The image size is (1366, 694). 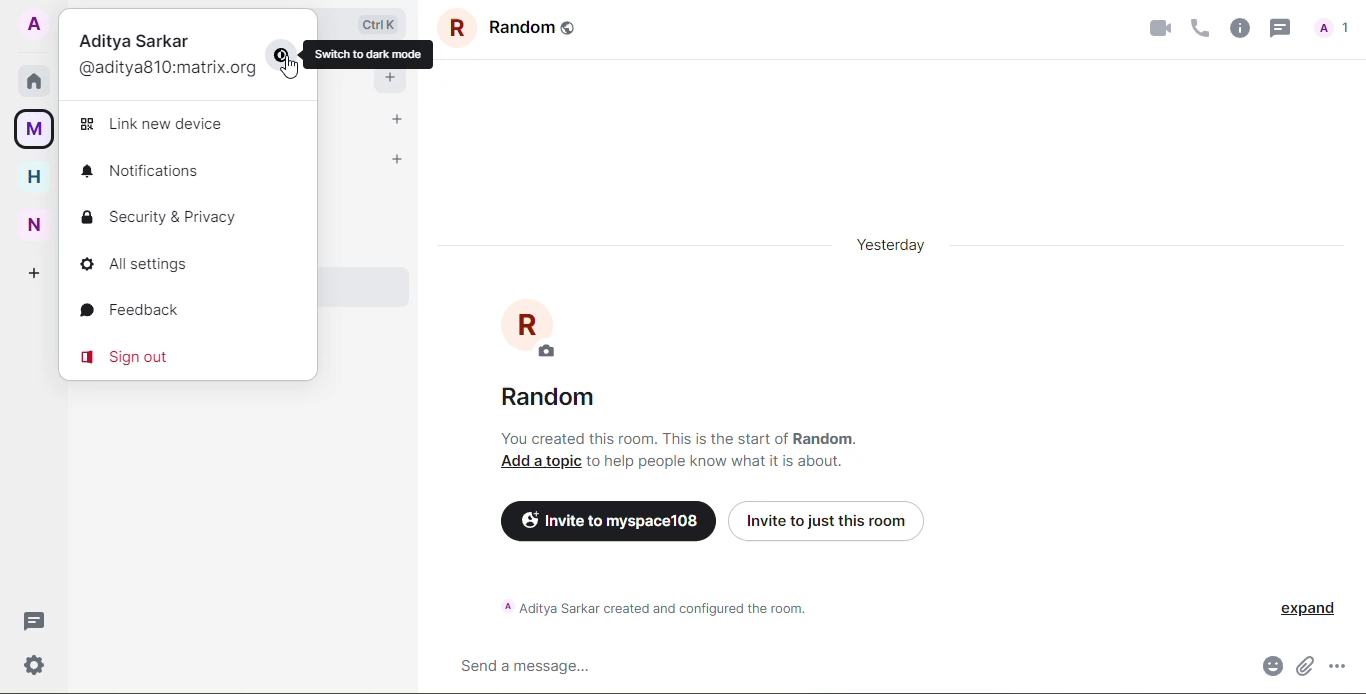 What do you see at coordinates (32, 665) in the screenshot?
I see `settings` at bounding box center [32, 665].